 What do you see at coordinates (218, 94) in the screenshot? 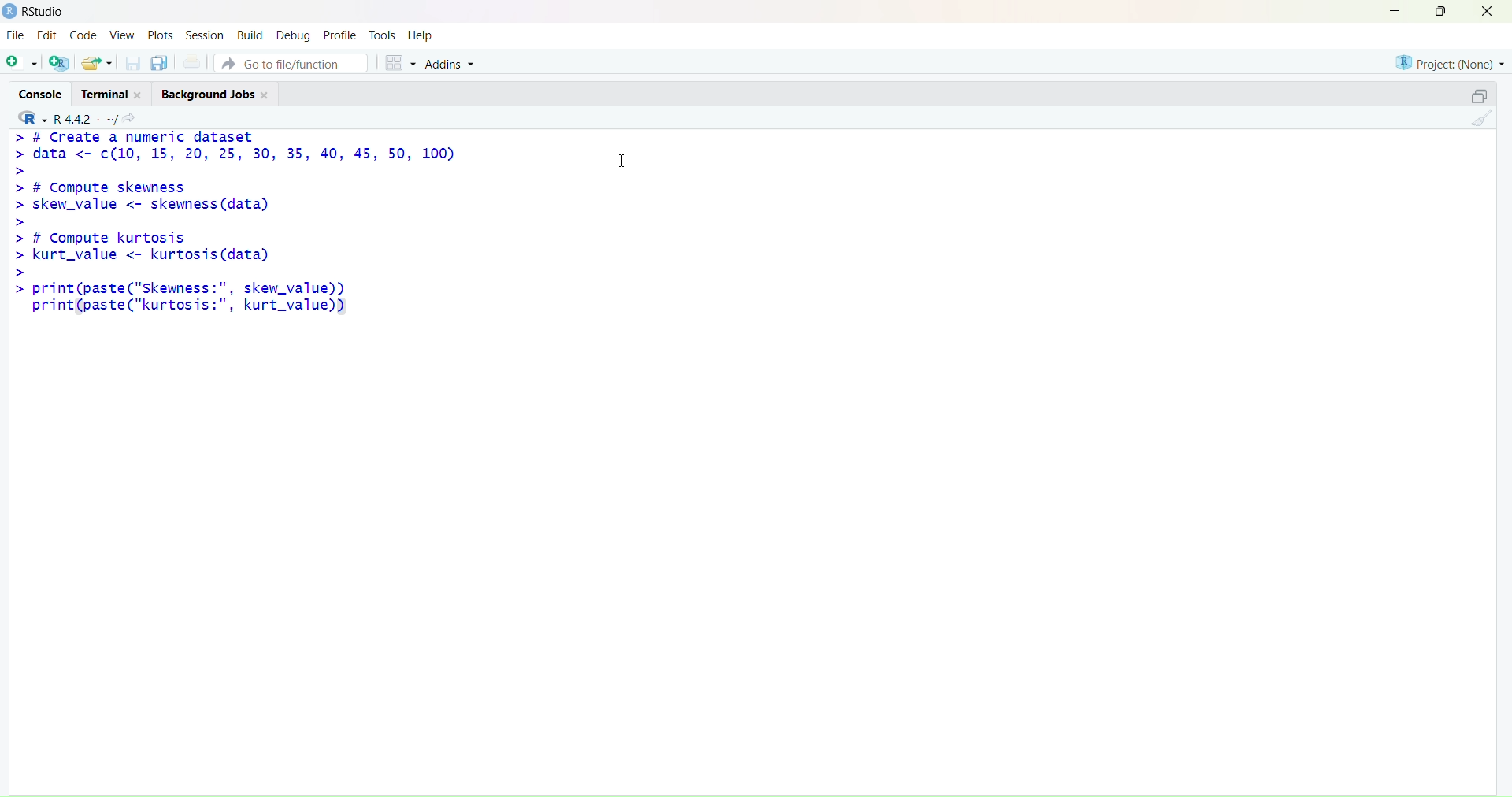
I see `Background Jobs` at bounding box center [218, 94].